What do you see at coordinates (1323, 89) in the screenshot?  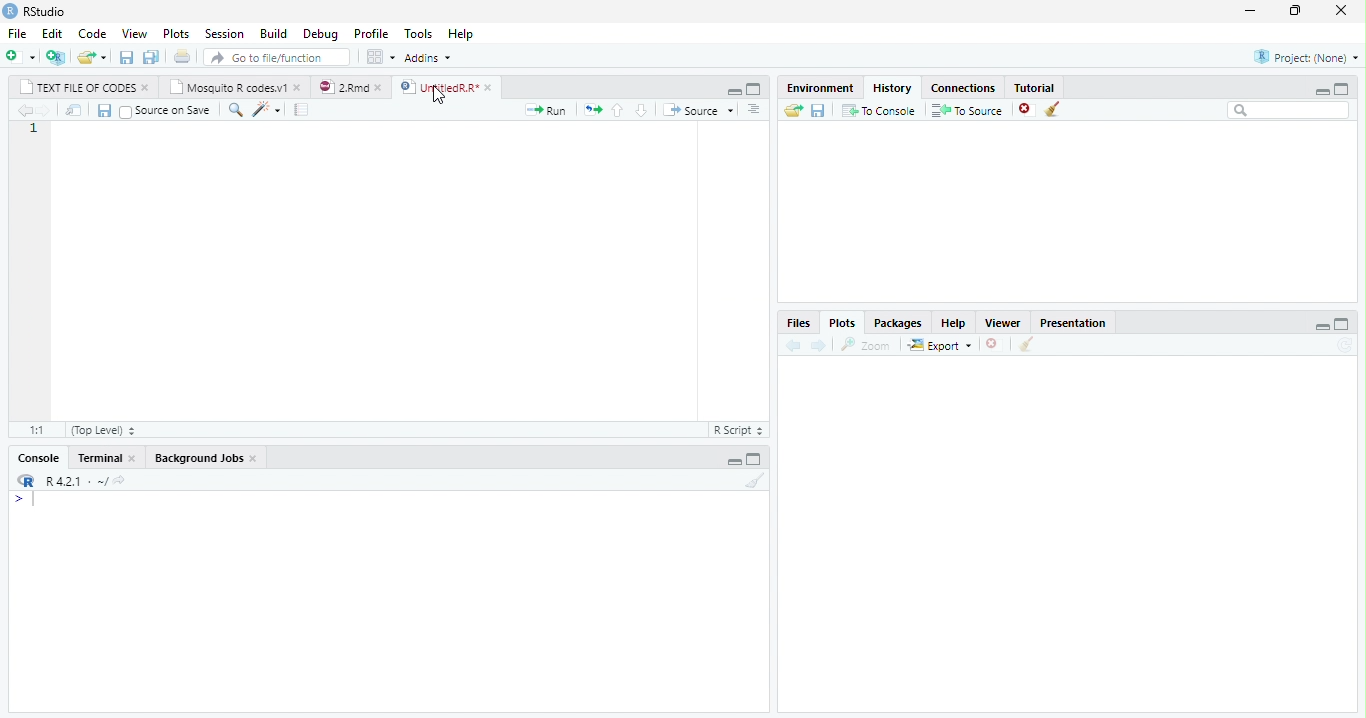 I see `minimize` at bounding box center [1323, 89].